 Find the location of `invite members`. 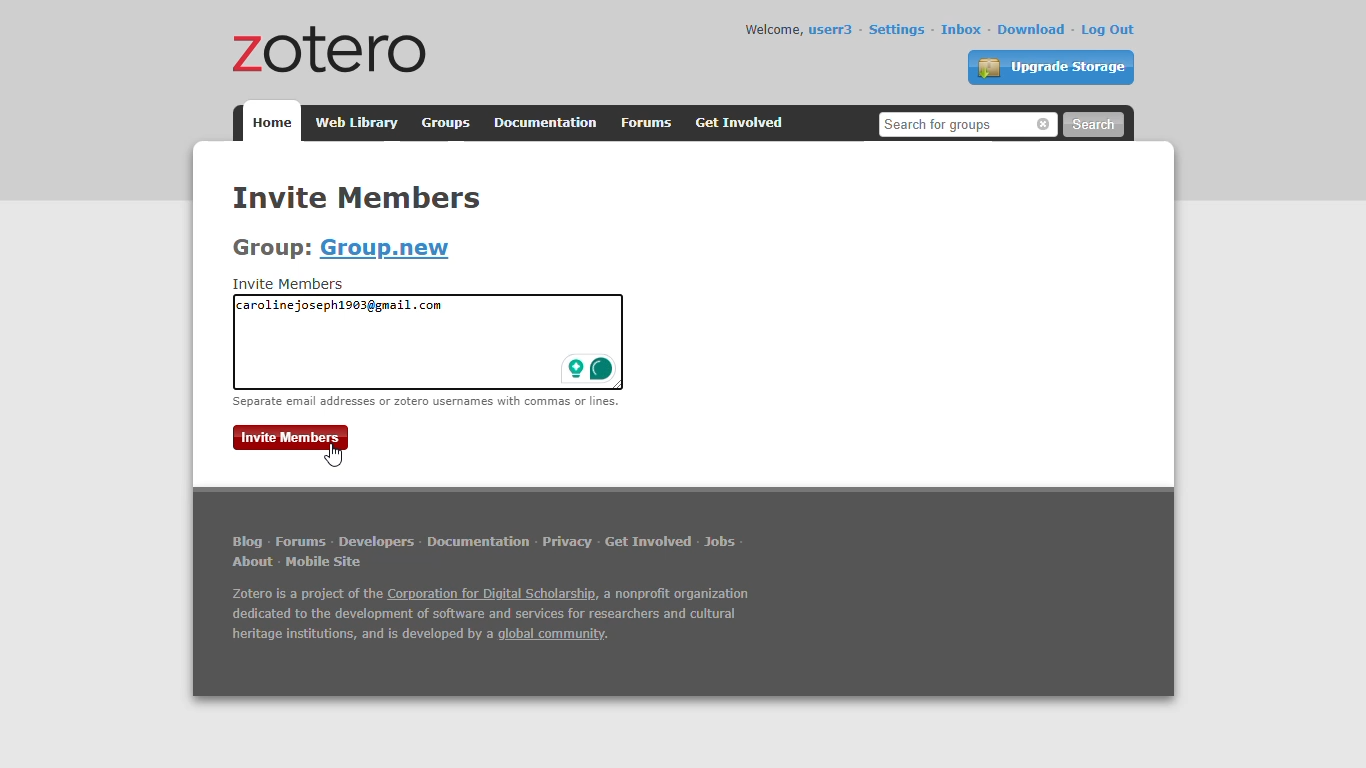

invite members is located at coordinates (290, 284).